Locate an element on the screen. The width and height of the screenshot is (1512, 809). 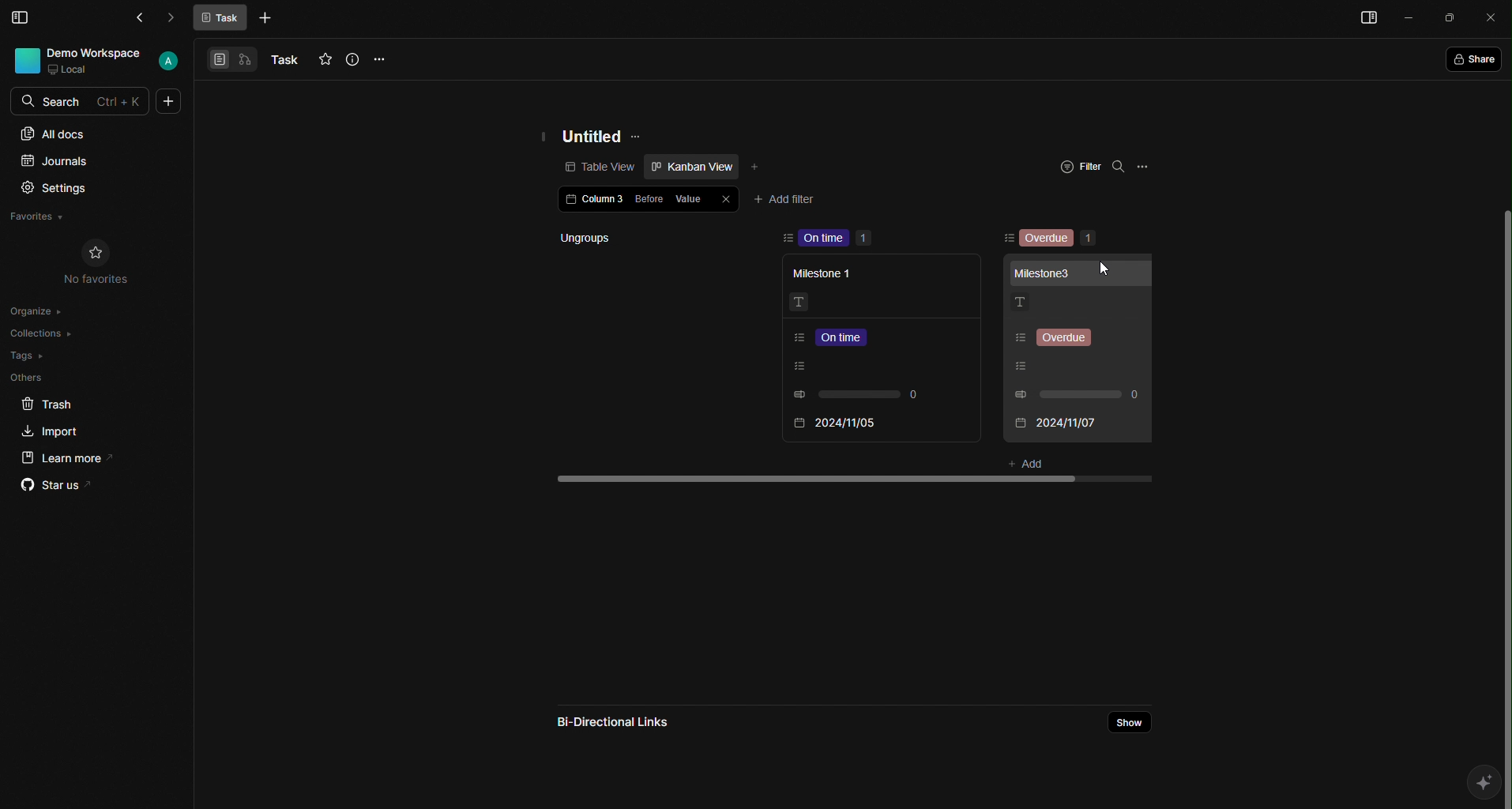
Back is located at coordinates (145, 17).